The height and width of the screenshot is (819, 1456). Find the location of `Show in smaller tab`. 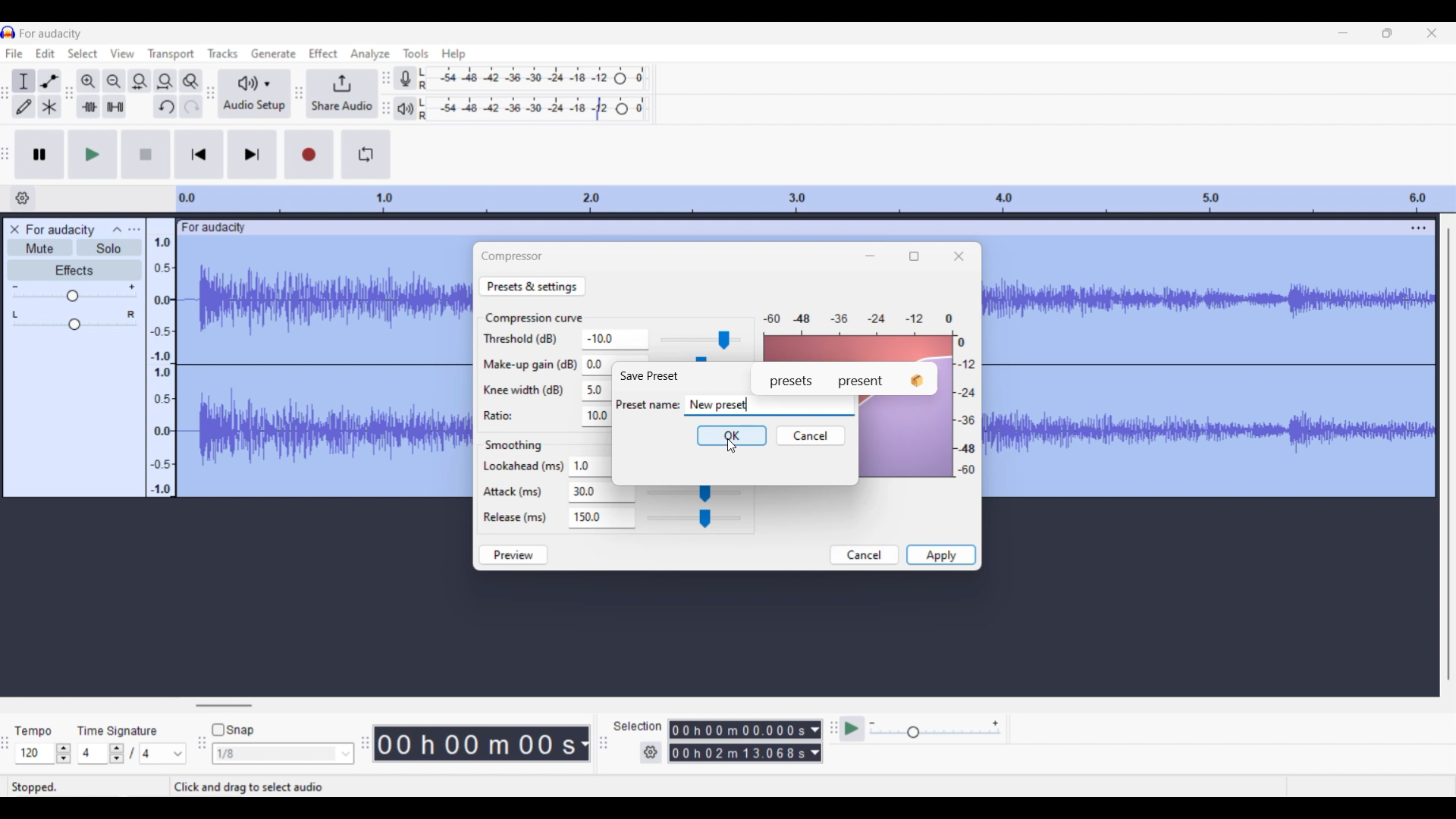

Show in smaller tab is located at coordinates (1388, 33).